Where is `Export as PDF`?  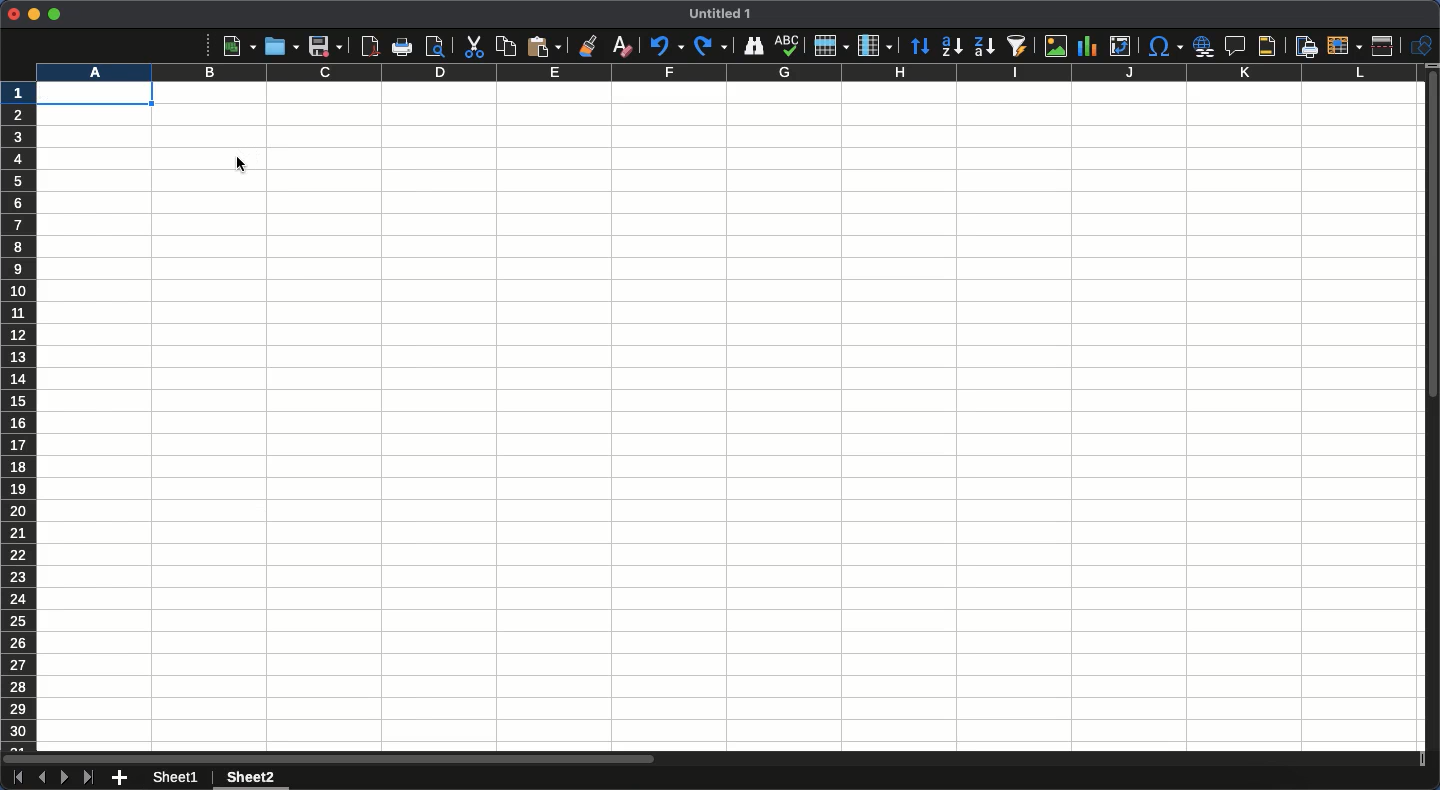 Export as PDF is located at coordinates (369, 46).